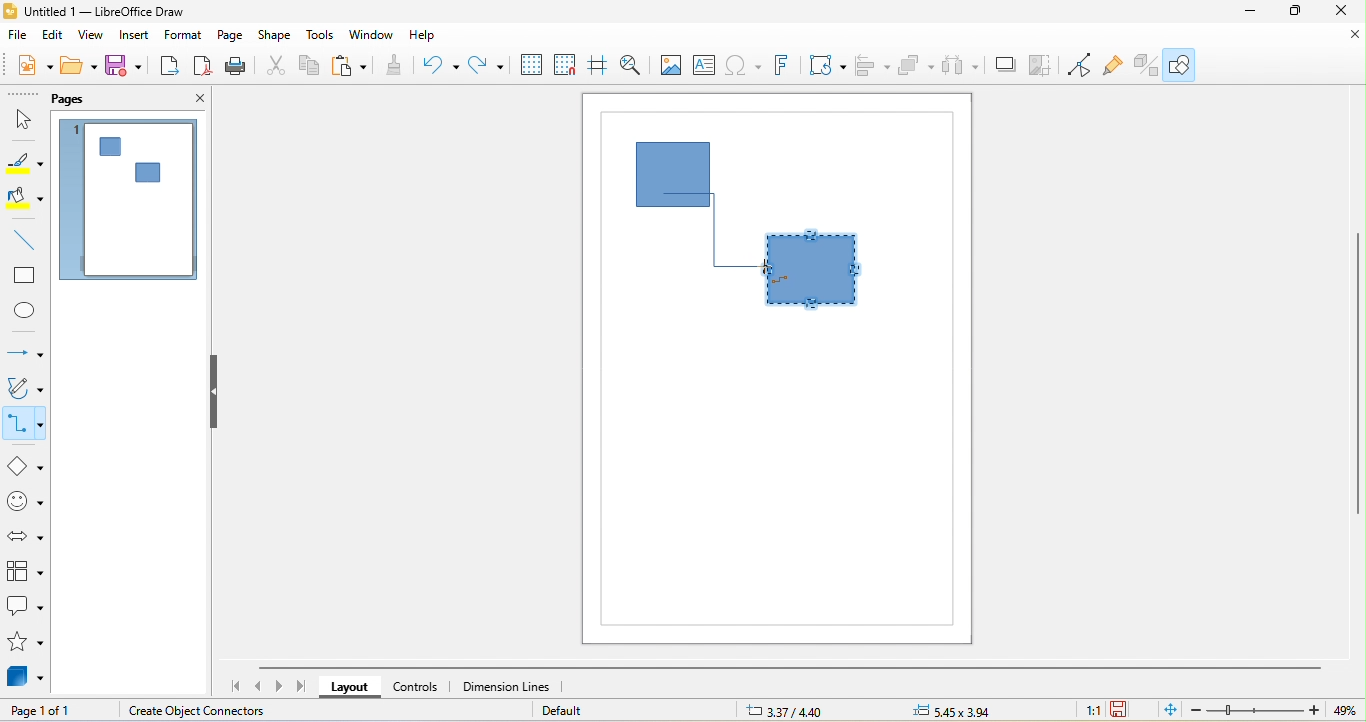 The width and height of the screenshot is (1366, 722). What do you see at coordinates (258, 688) in the screenshot?
I see `scroll to previous page` at bounding box center [258, 688].